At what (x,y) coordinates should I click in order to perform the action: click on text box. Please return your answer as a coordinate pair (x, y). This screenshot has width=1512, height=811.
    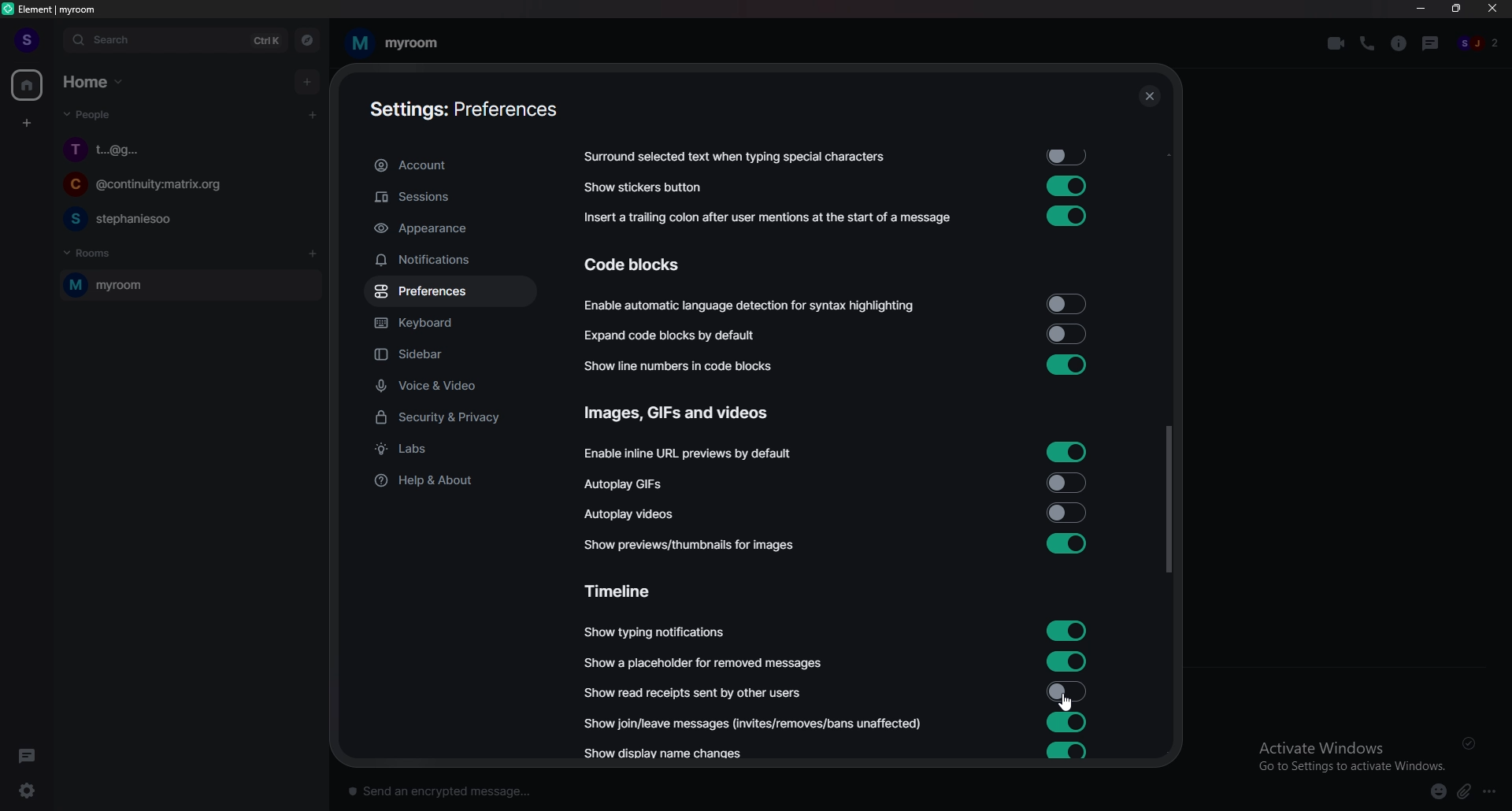
    Looking at the image, I should click on (570, 787).